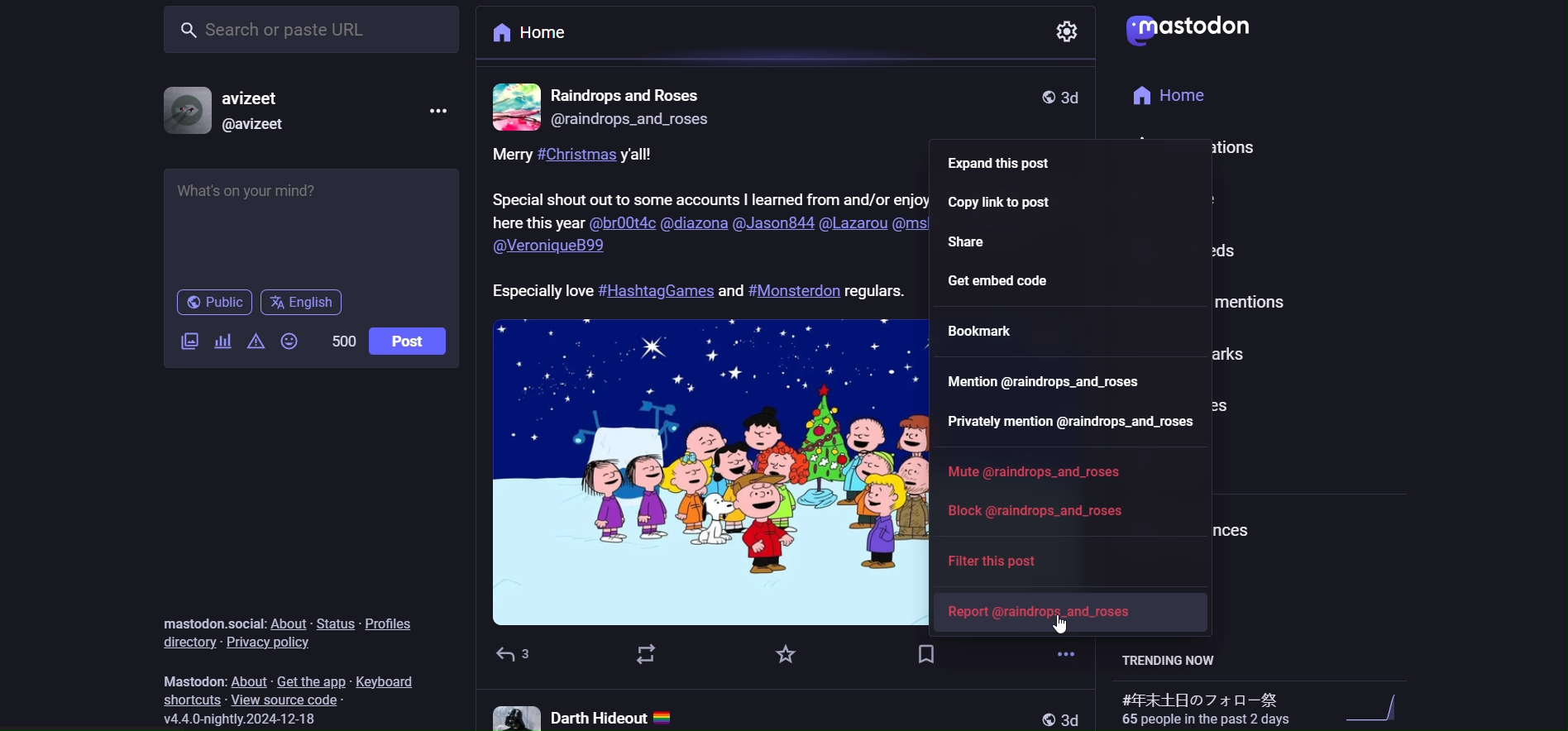 This screenshot has height=731, width=1568. Describe the element at coordinates (255, 342) in the screenshot. I see `content warning` at that location.